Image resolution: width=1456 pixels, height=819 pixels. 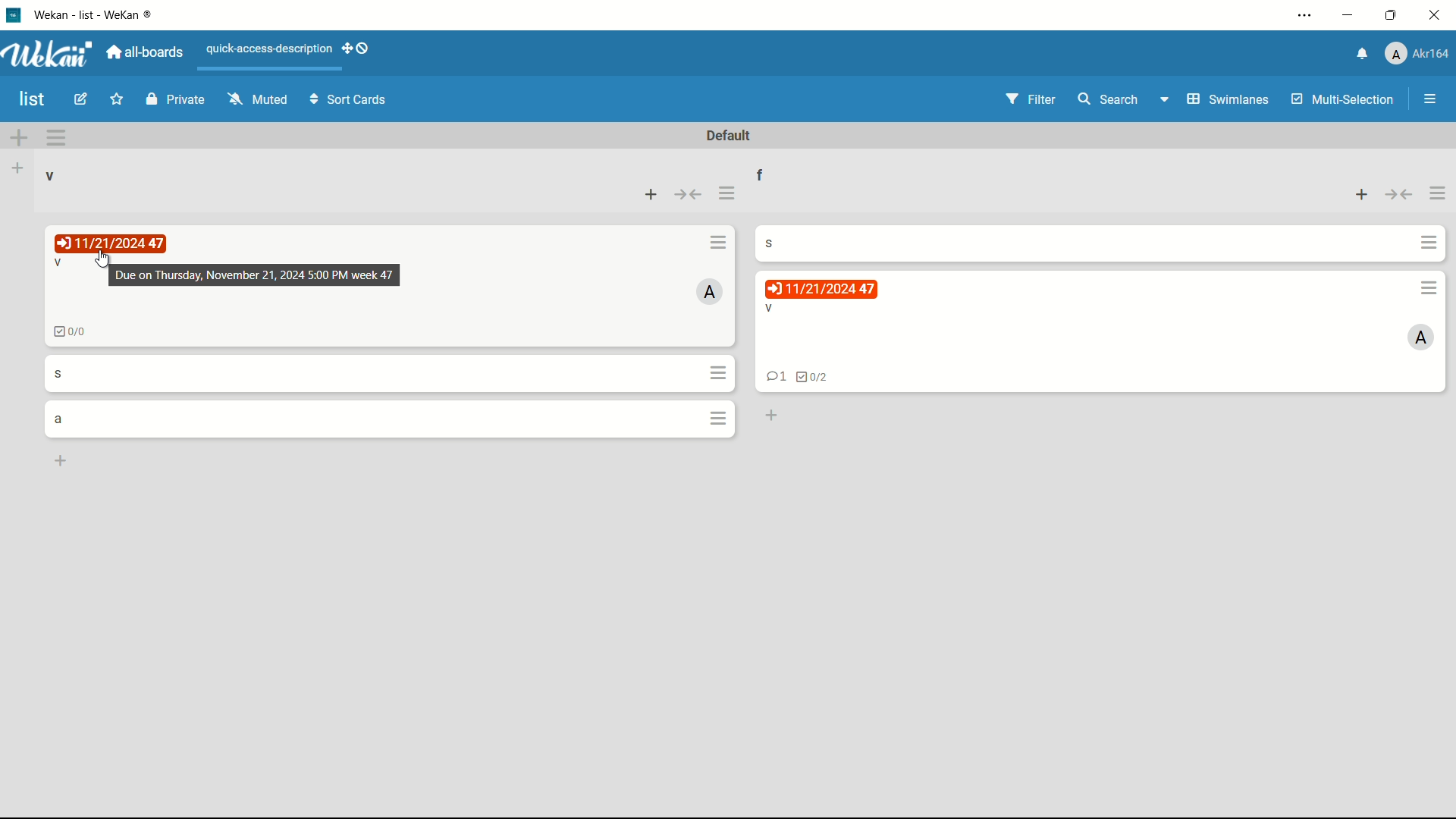 What do you see at coordinates (1429, 288) in the screenshot?
I see `card actions` at bounding box center [1429, 288].